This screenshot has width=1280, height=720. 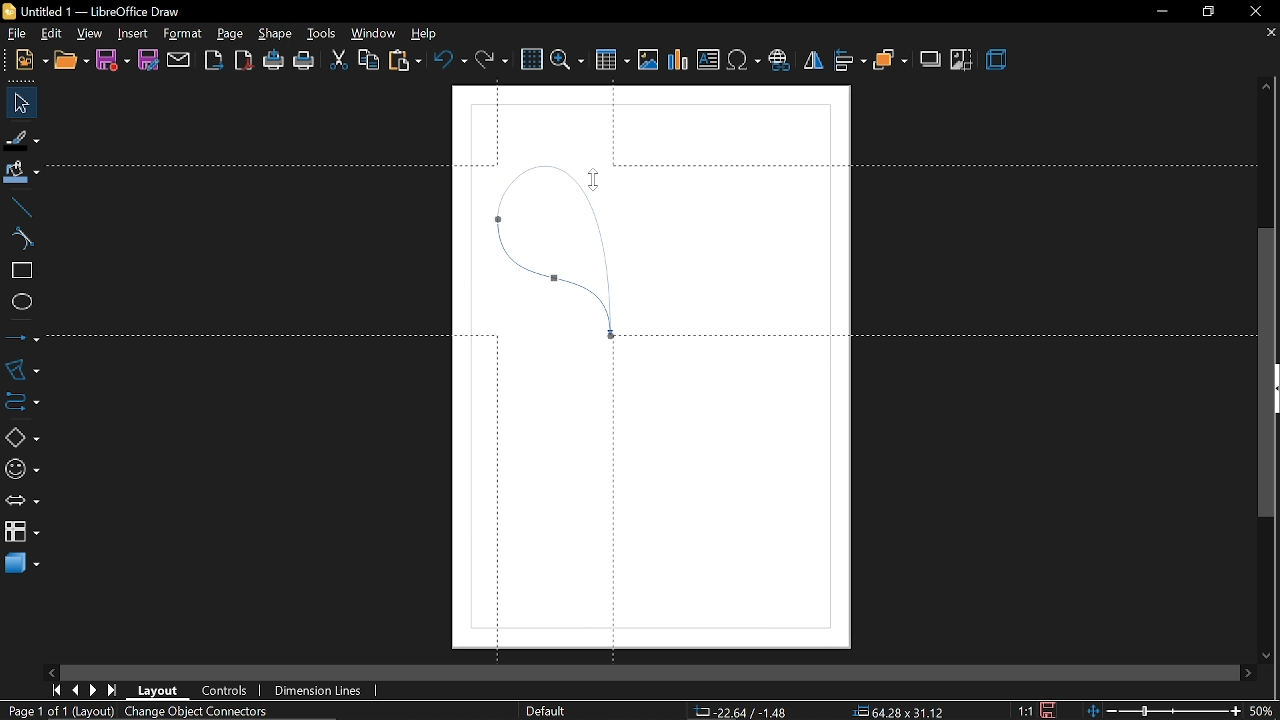 I want to click on go to last page, so click(x=114, y=690).